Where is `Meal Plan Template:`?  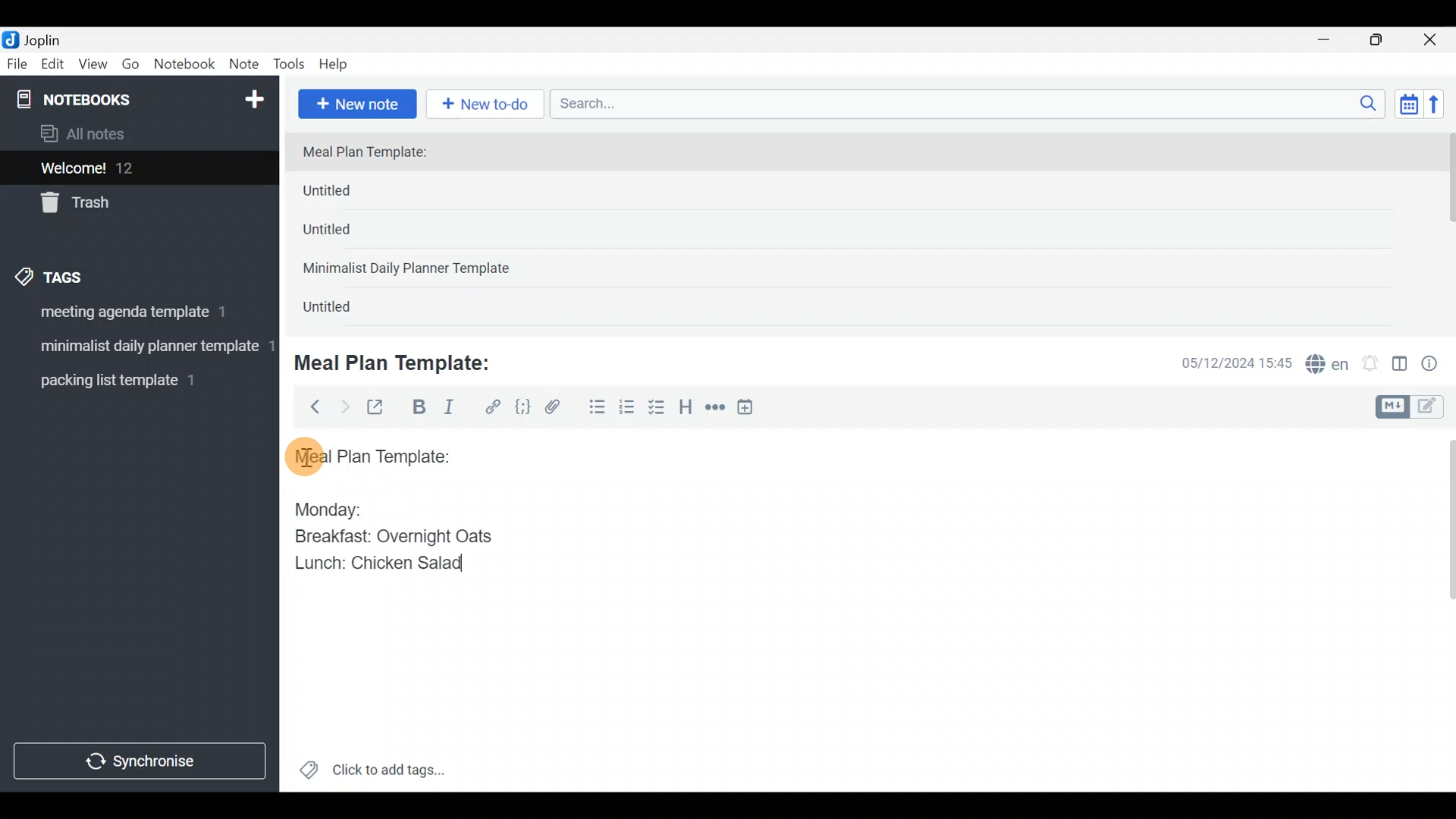
Meal Plan Template: is located at coordinates (374, 153).